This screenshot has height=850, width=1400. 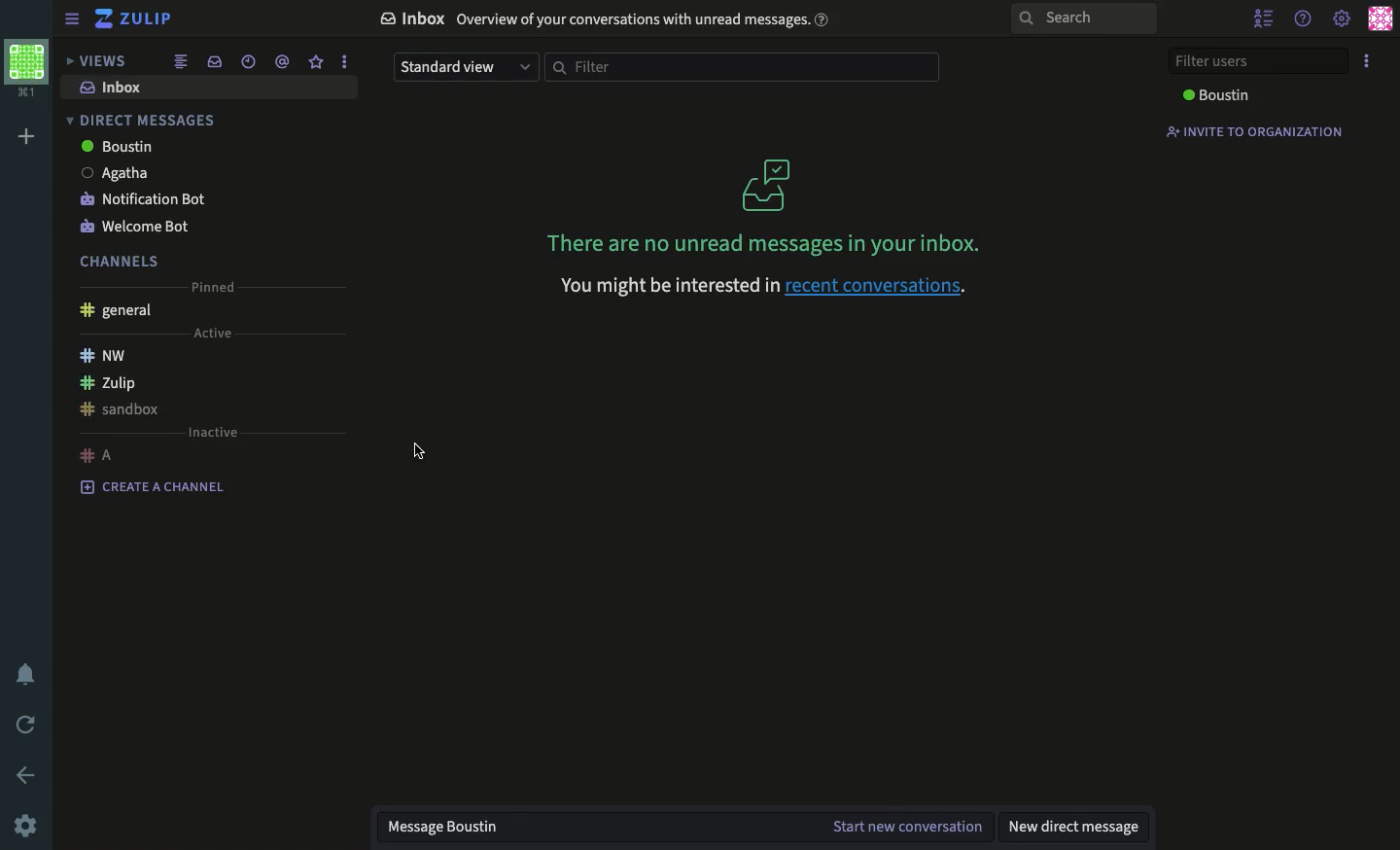 What do you see at coordinates (144, 201) in the screenshot?
I see `notification bot` at bounding box center [144, 201].